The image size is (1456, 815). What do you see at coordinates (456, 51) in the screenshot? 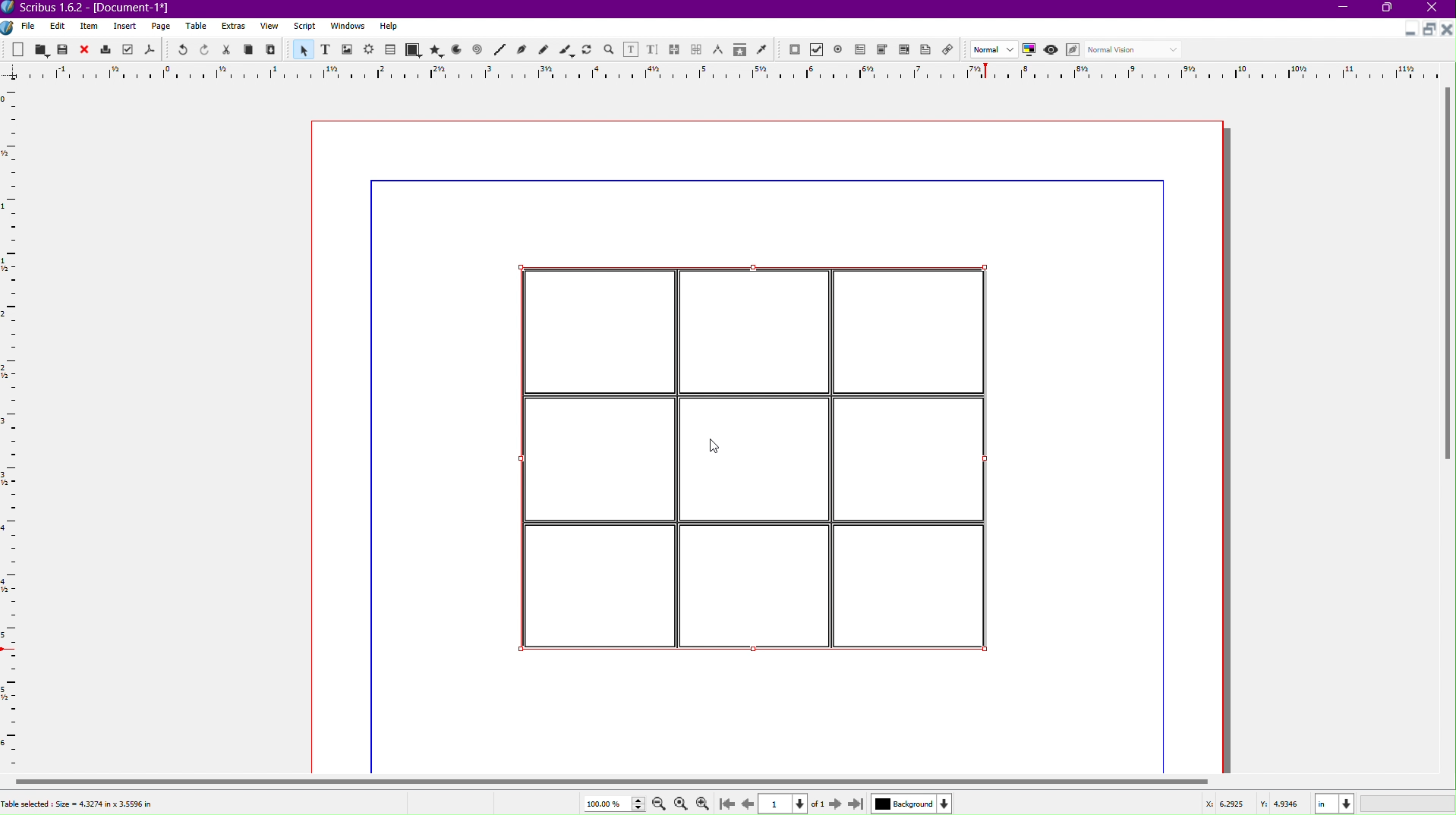
I see `Arc` at bounding box center [456, 51].